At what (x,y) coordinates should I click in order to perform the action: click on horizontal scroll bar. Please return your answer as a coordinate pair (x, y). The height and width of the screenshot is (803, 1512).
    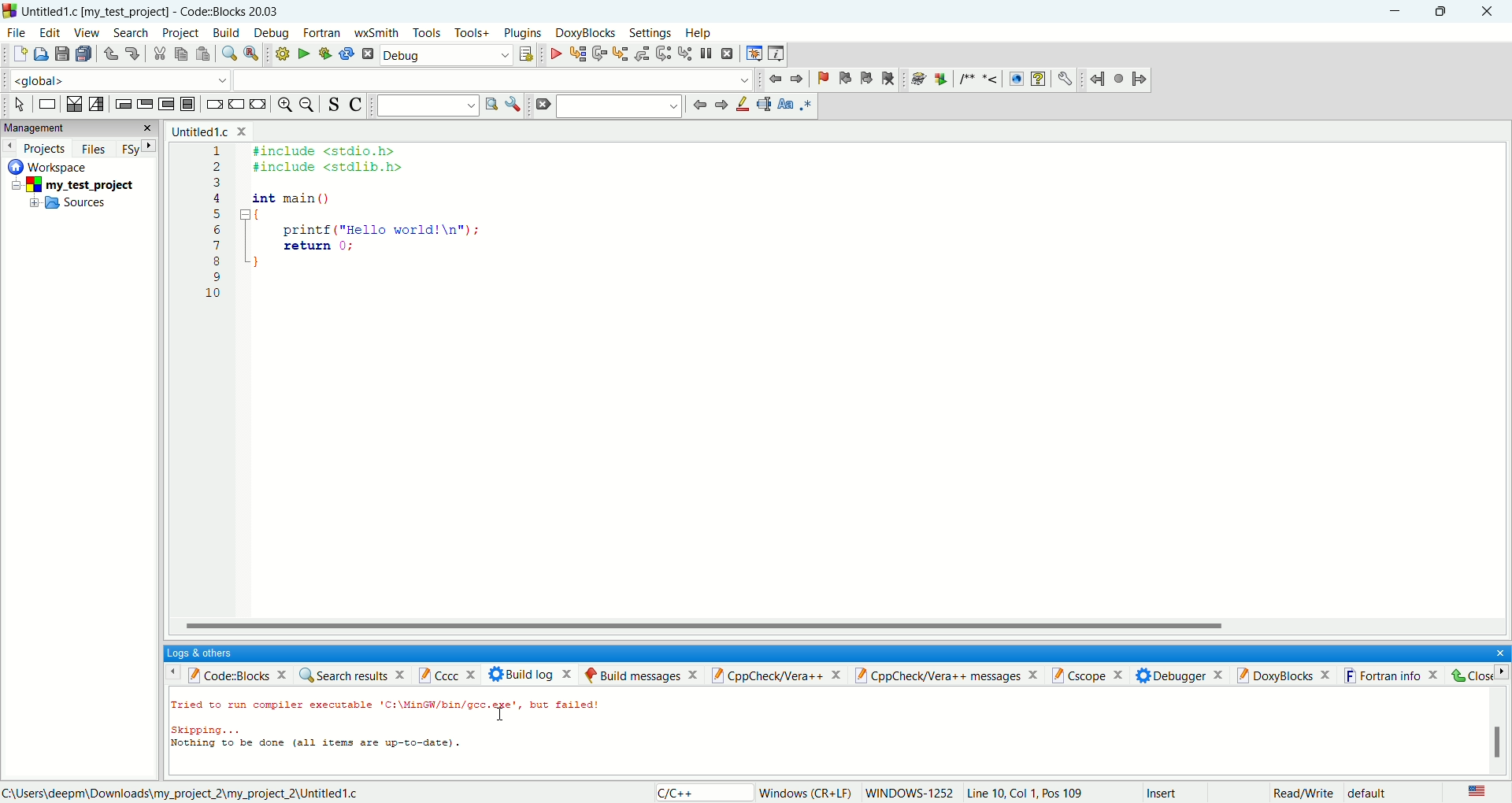
    Looking at the image, I should click on (839, 626).